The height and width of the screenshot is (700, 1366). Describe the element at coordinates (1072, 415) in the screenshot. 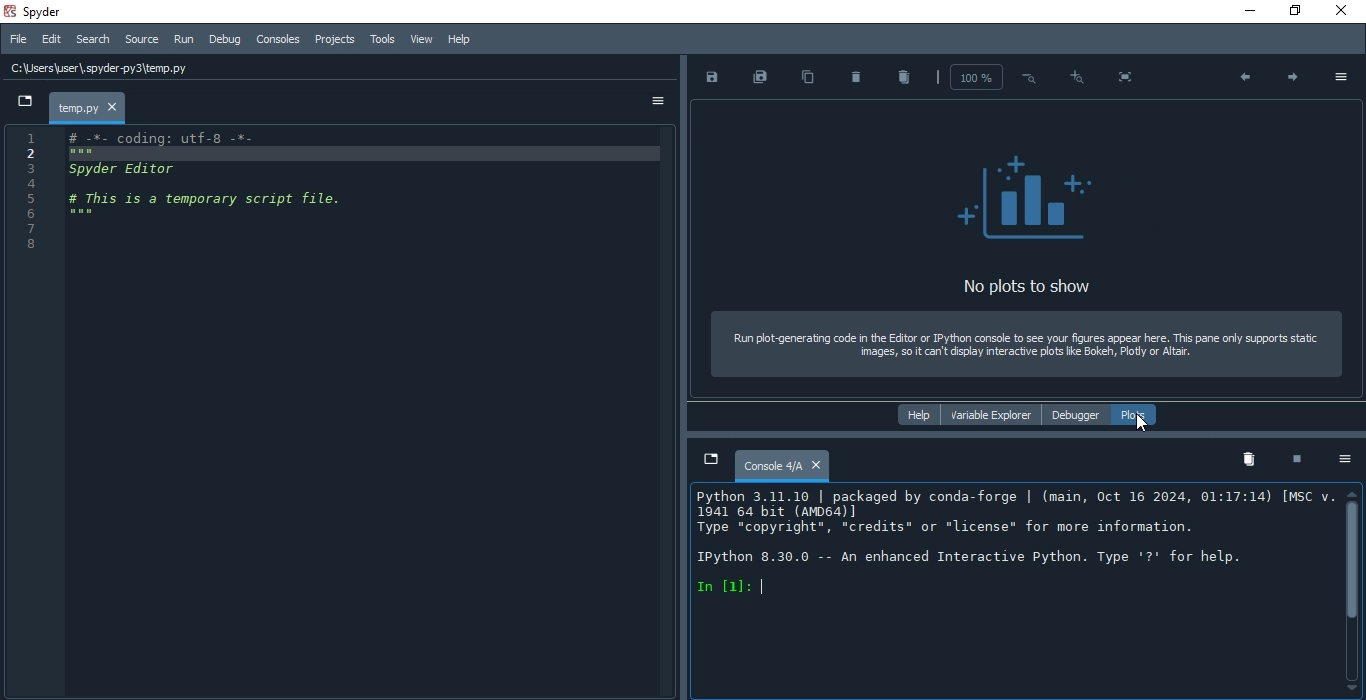

I see `debugger` at that location.